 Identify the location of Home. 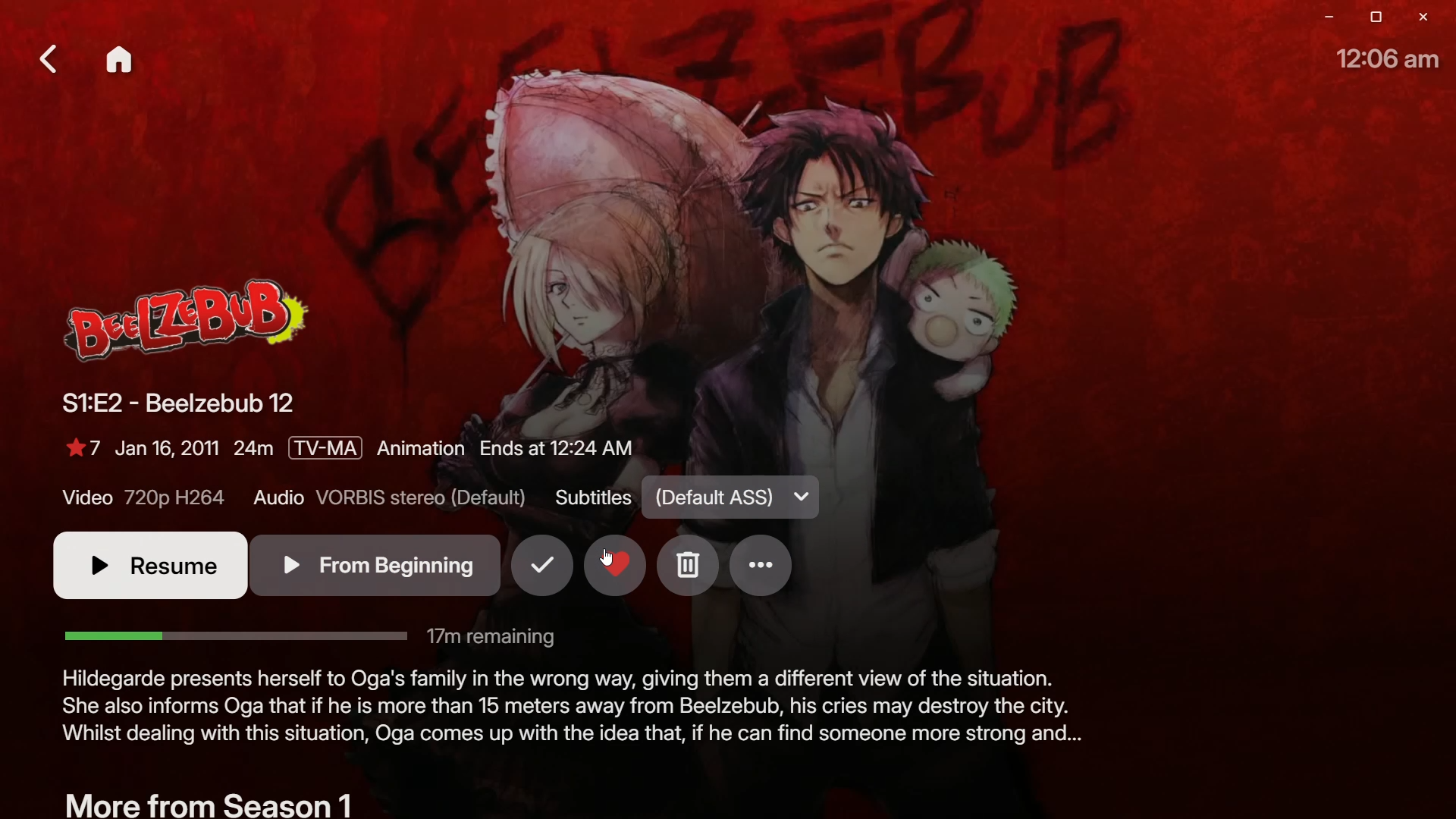
(123, 62).